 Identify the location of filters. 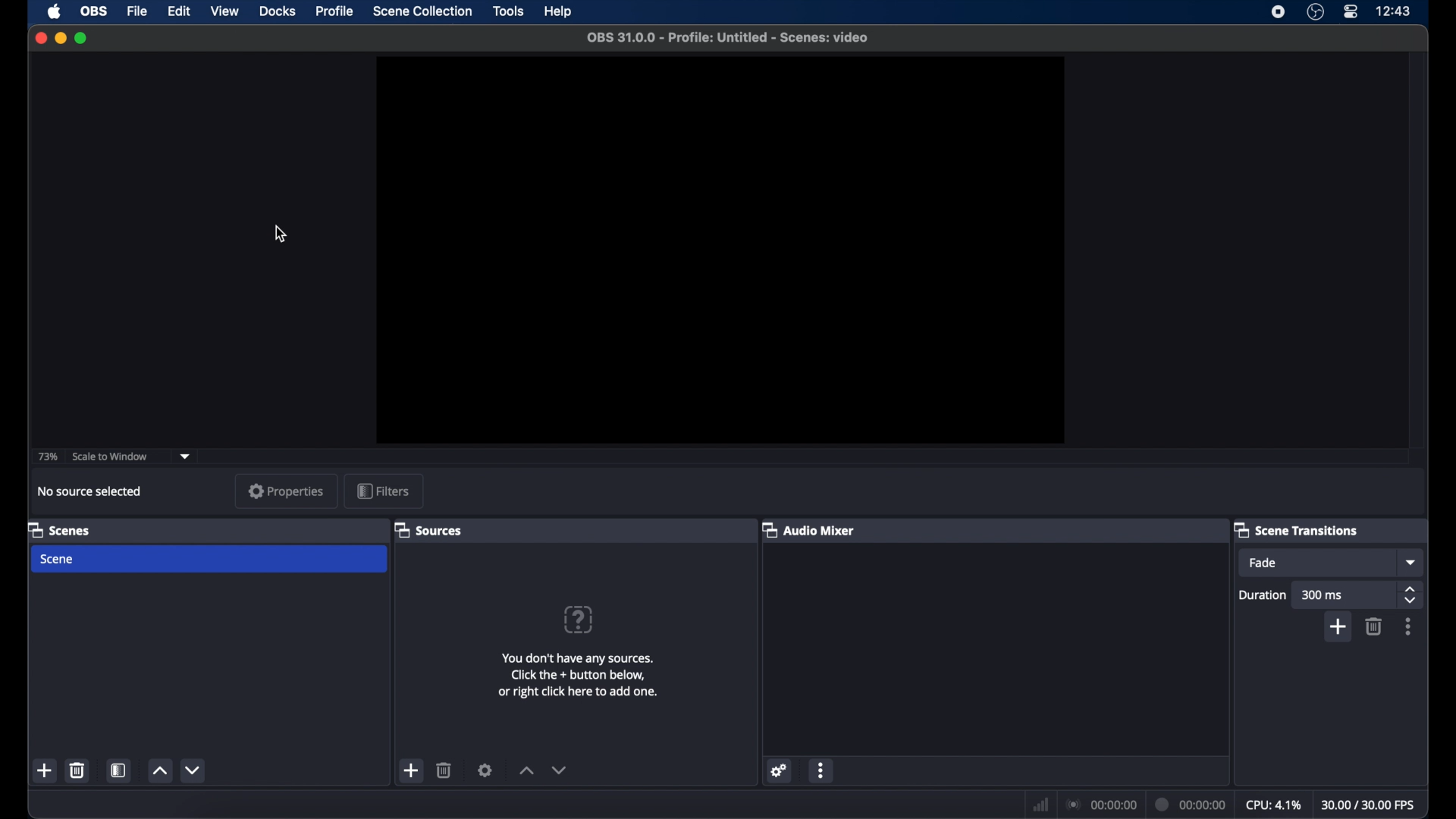
(383, 491).